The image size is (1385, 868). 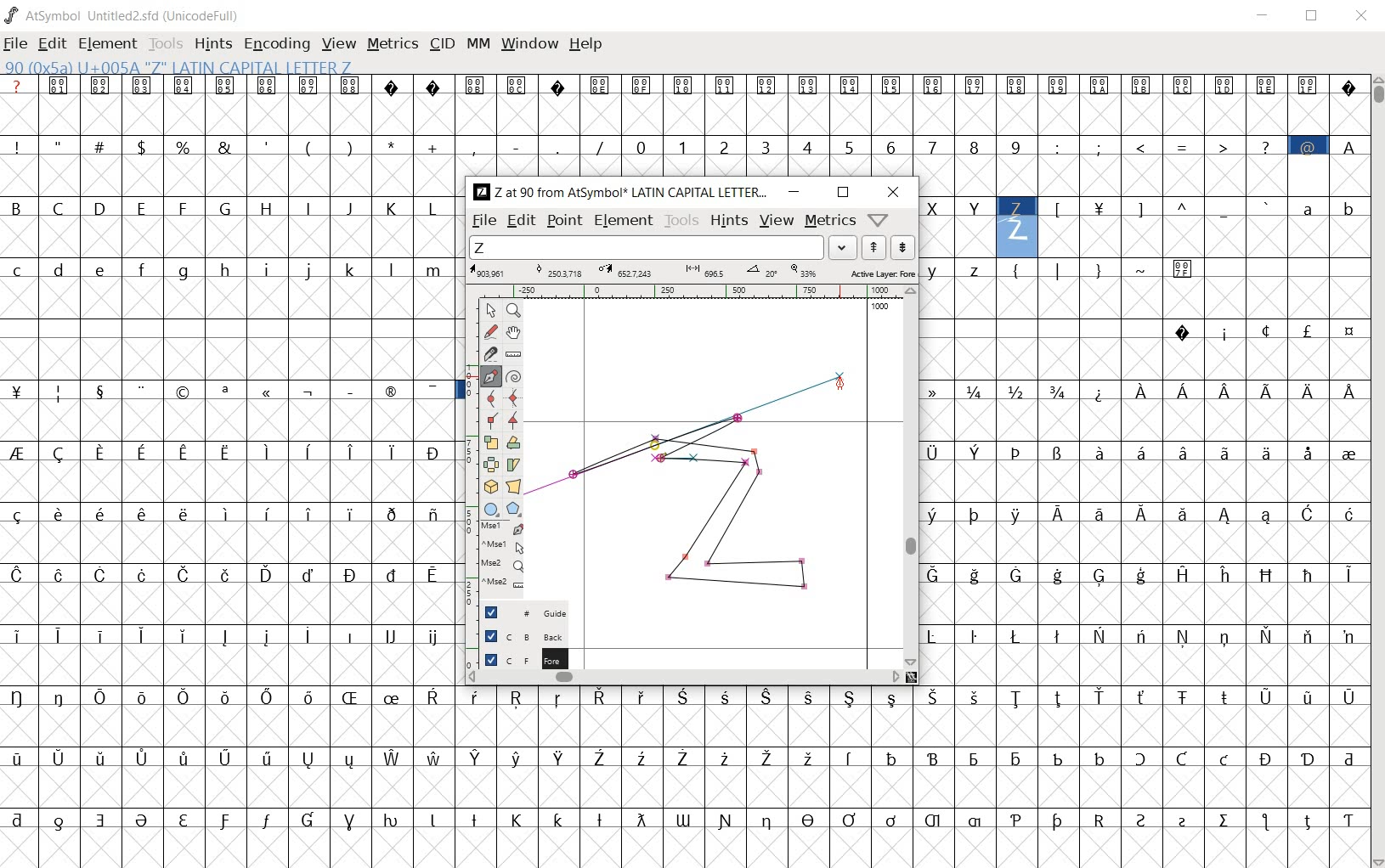 What do you see at coordinates (494, 561) in the screenshot?
I see `mse1 mse1 mse2 mse2` at bounding box center [494, 561].